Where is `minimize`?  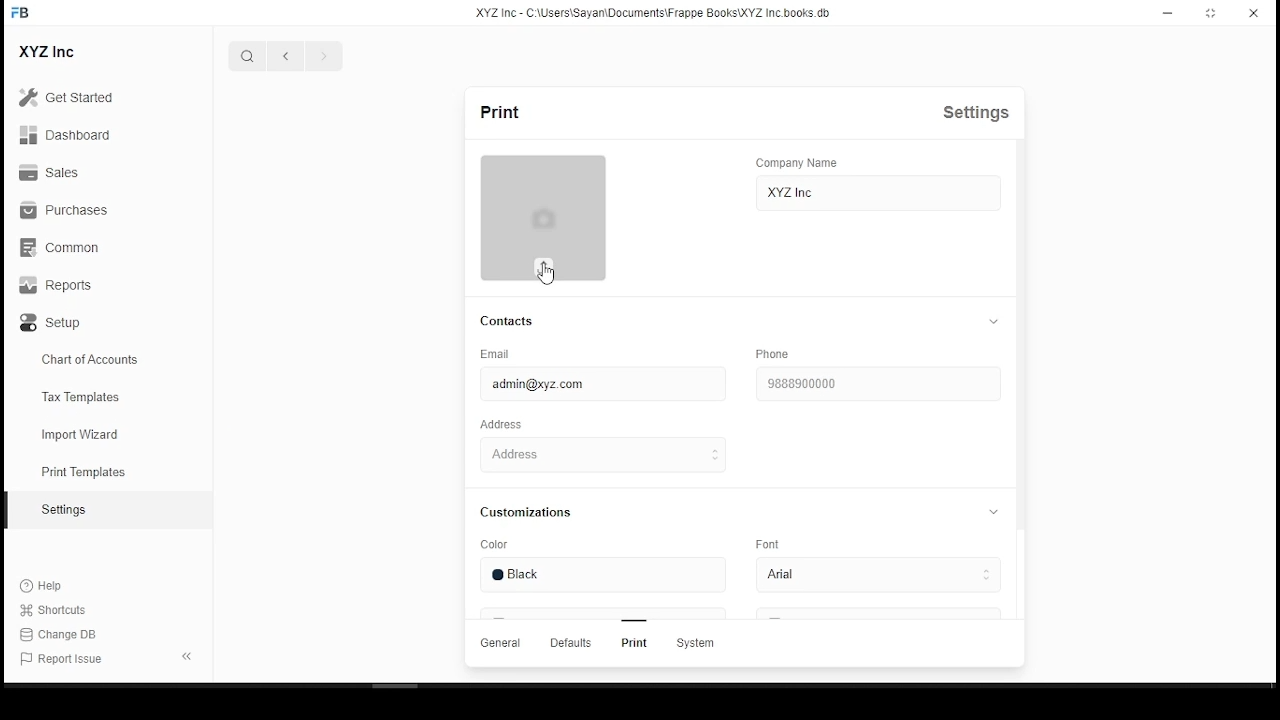
minimize is located at coordinates (1168, 13).